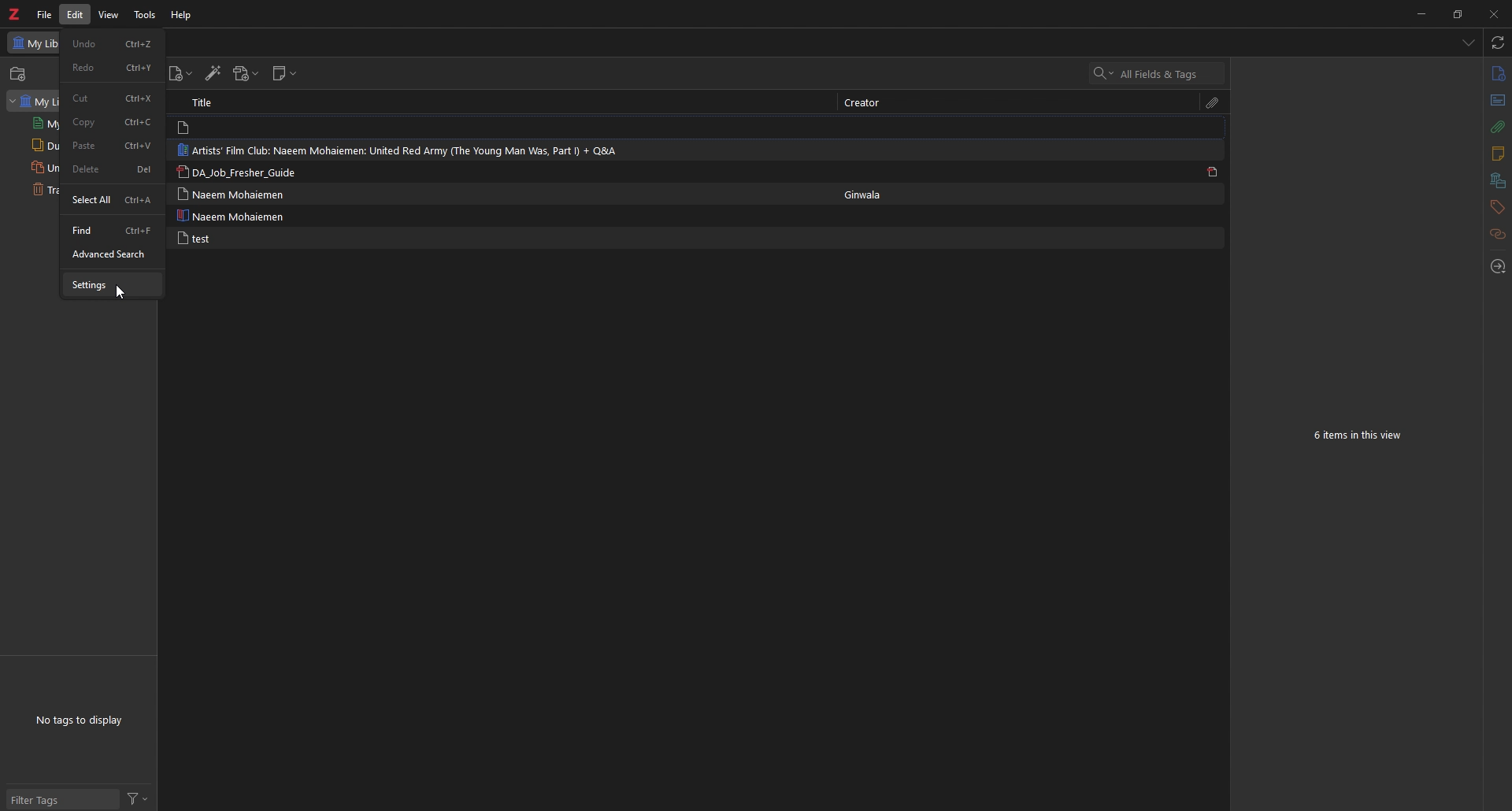  Describe the element at coordinates (284, 73) in the screenshot. I see `new note` at that location.